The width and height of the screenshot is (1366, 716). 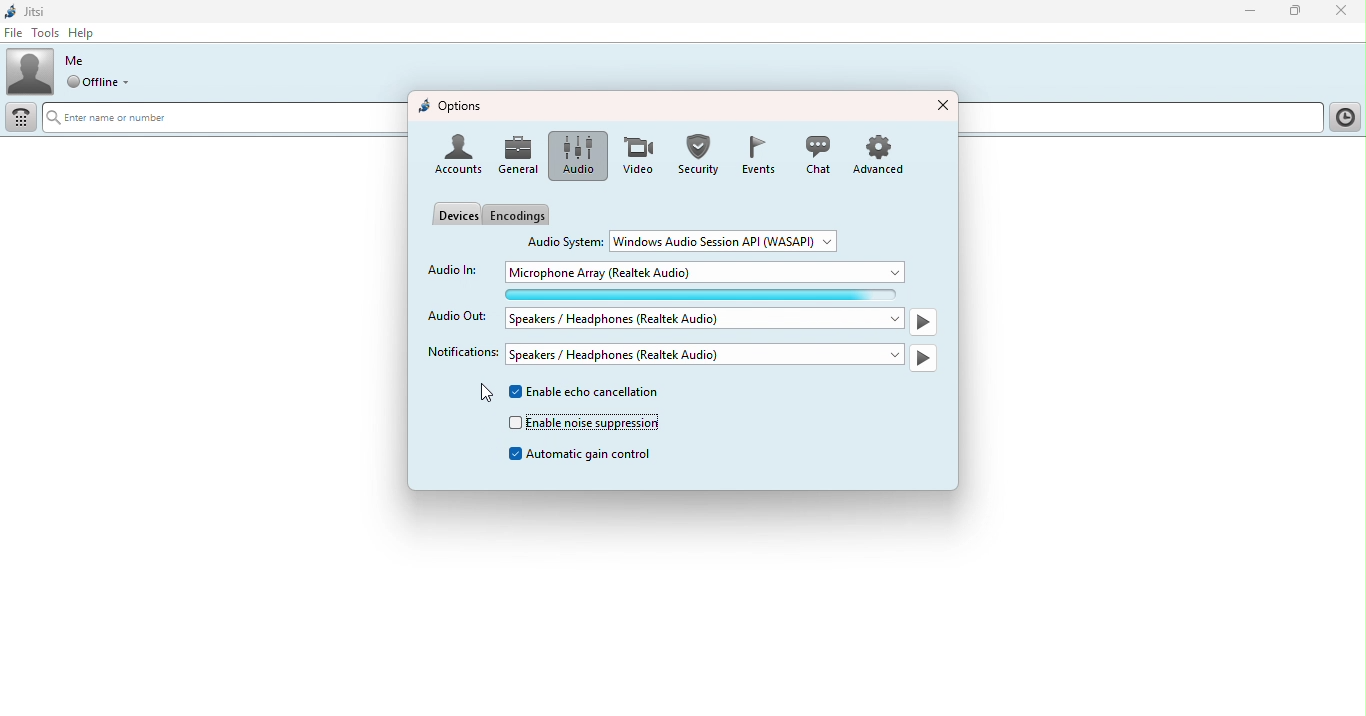 I want to click on Enable echo cancellation, so click(x=591, y=394).